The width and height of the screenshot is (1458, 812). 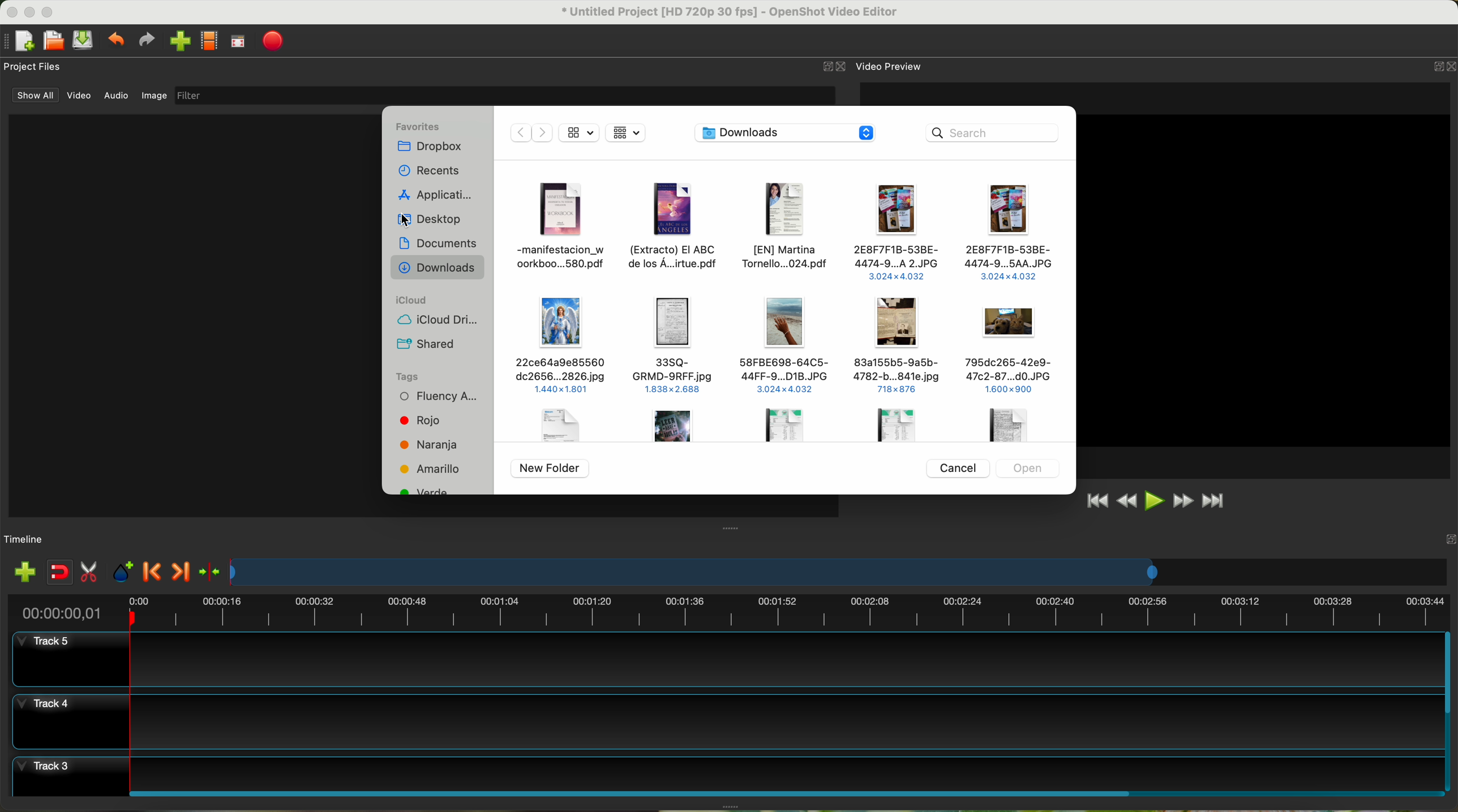 What do you see at coordinates (784, 424) in the screenshot?
I see `file` at bounding box center [784, 424].